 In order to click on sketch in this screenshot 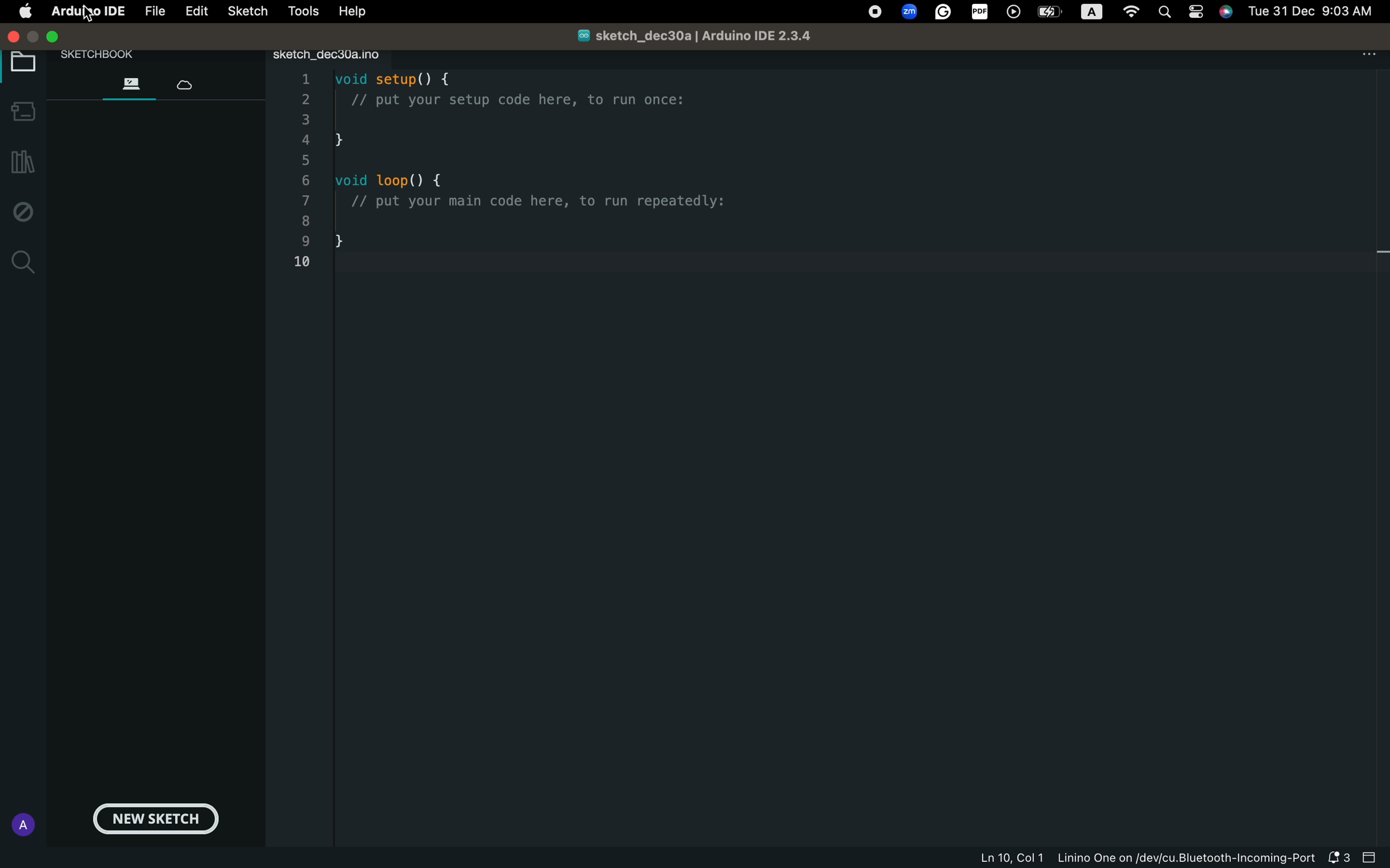, I will do `click(247, 12)`.